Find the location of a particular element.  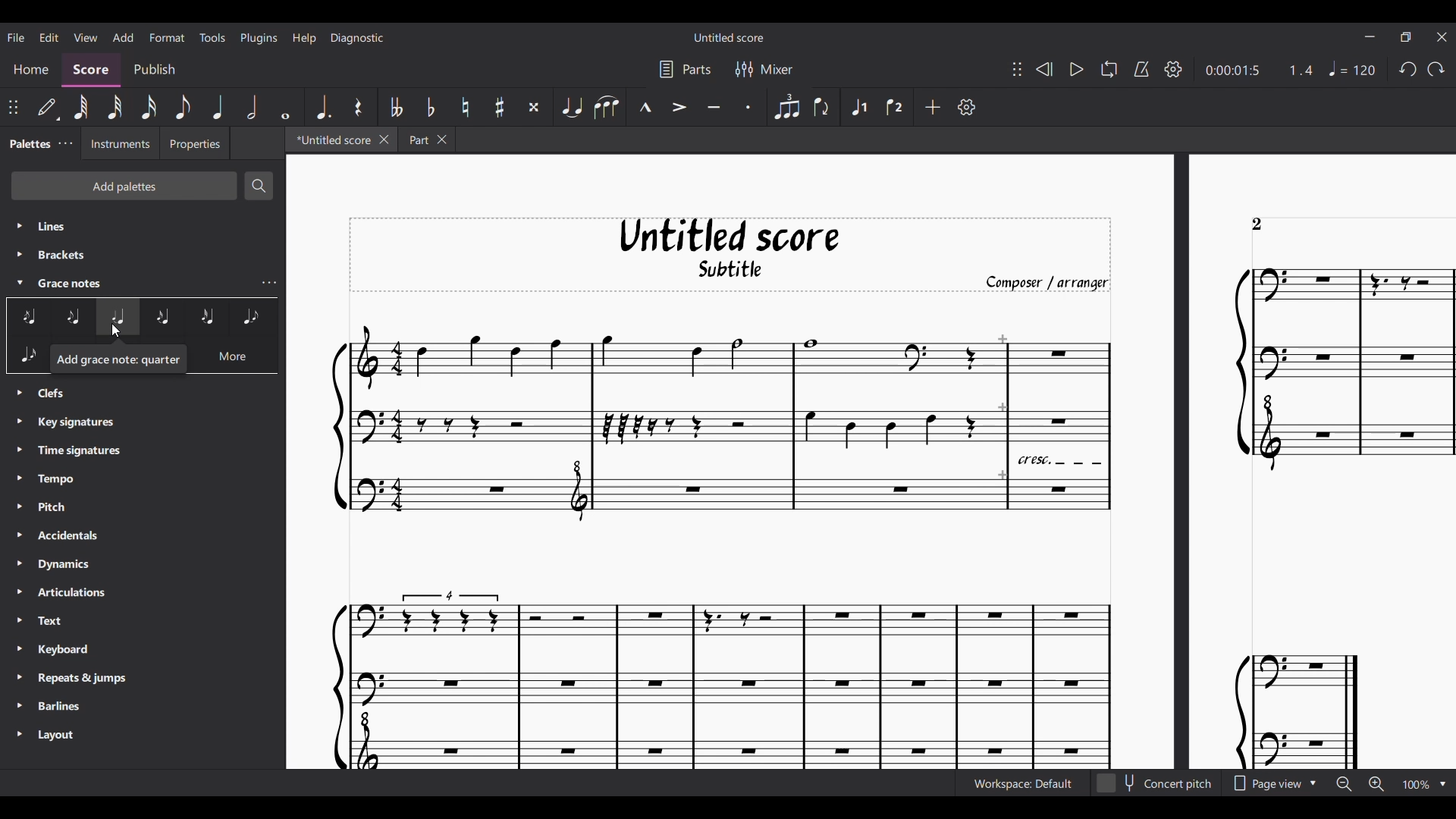

Default is located at coordinates (49, 108).